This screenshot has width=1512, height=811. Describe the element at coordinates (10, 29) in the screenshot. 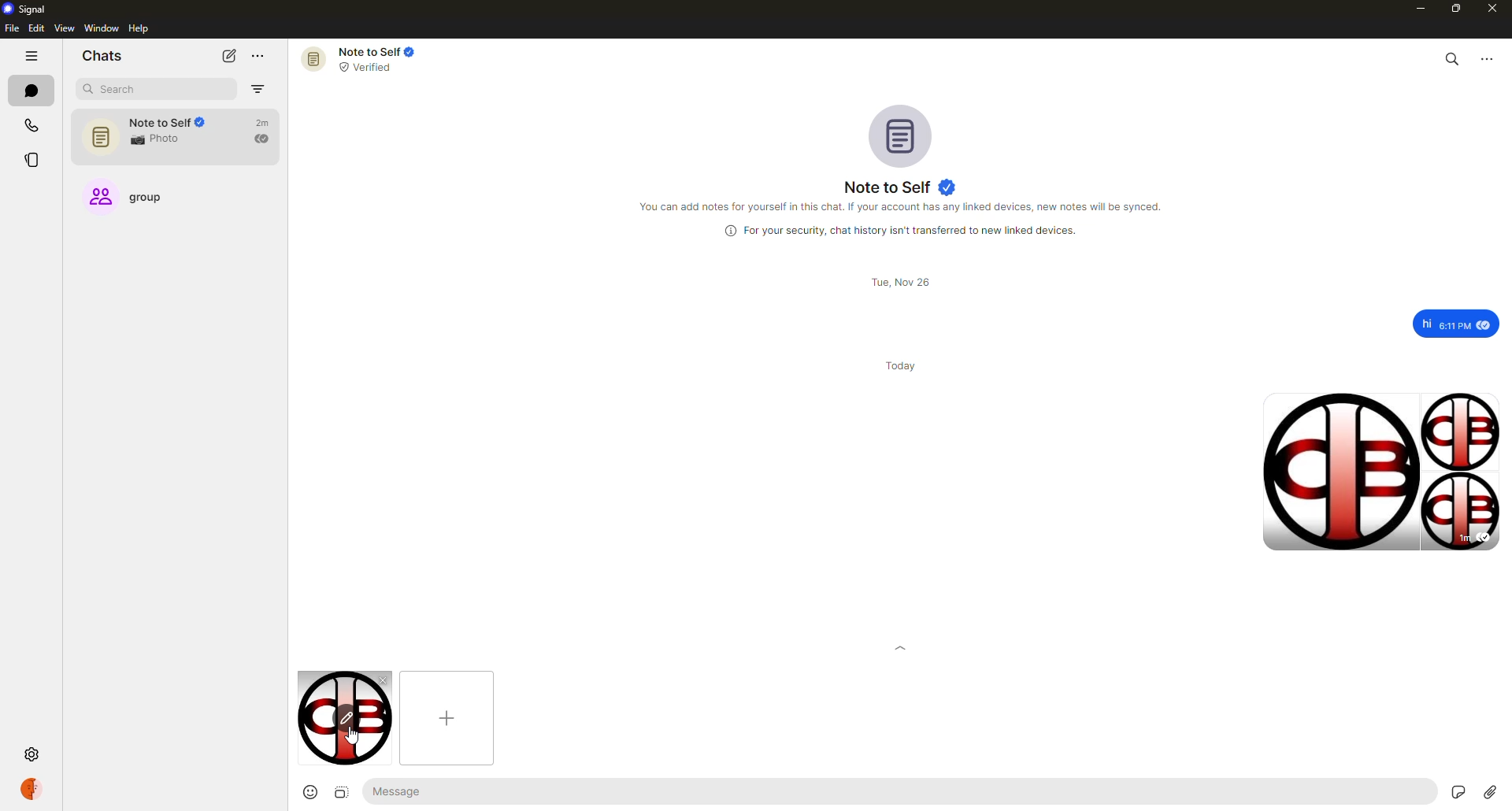

I see `file` at that location.